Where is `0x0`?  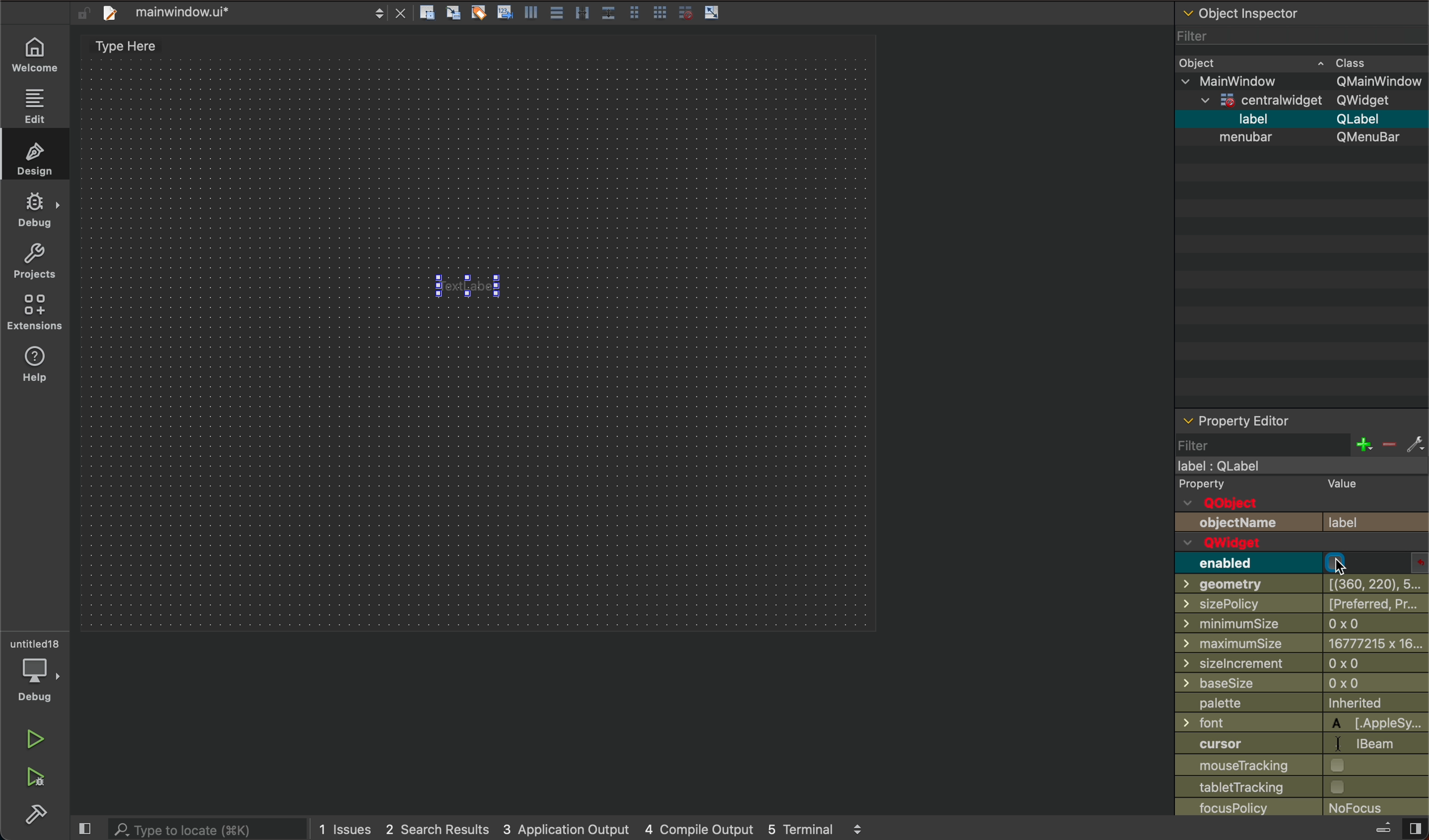
0x0 is located at coordinates (1360, 663).